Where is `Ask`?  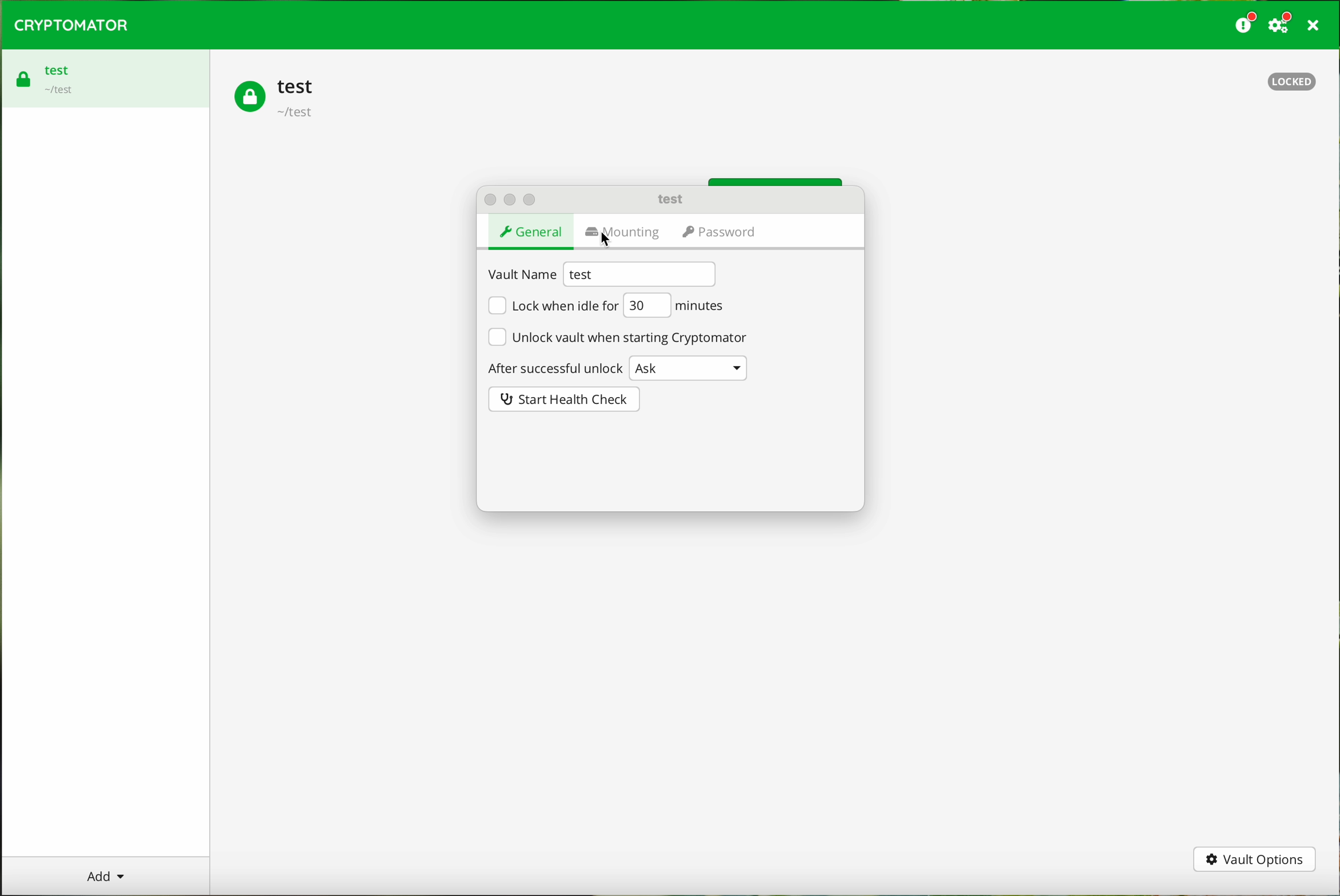
Ask is located at coordinates (689, 368).